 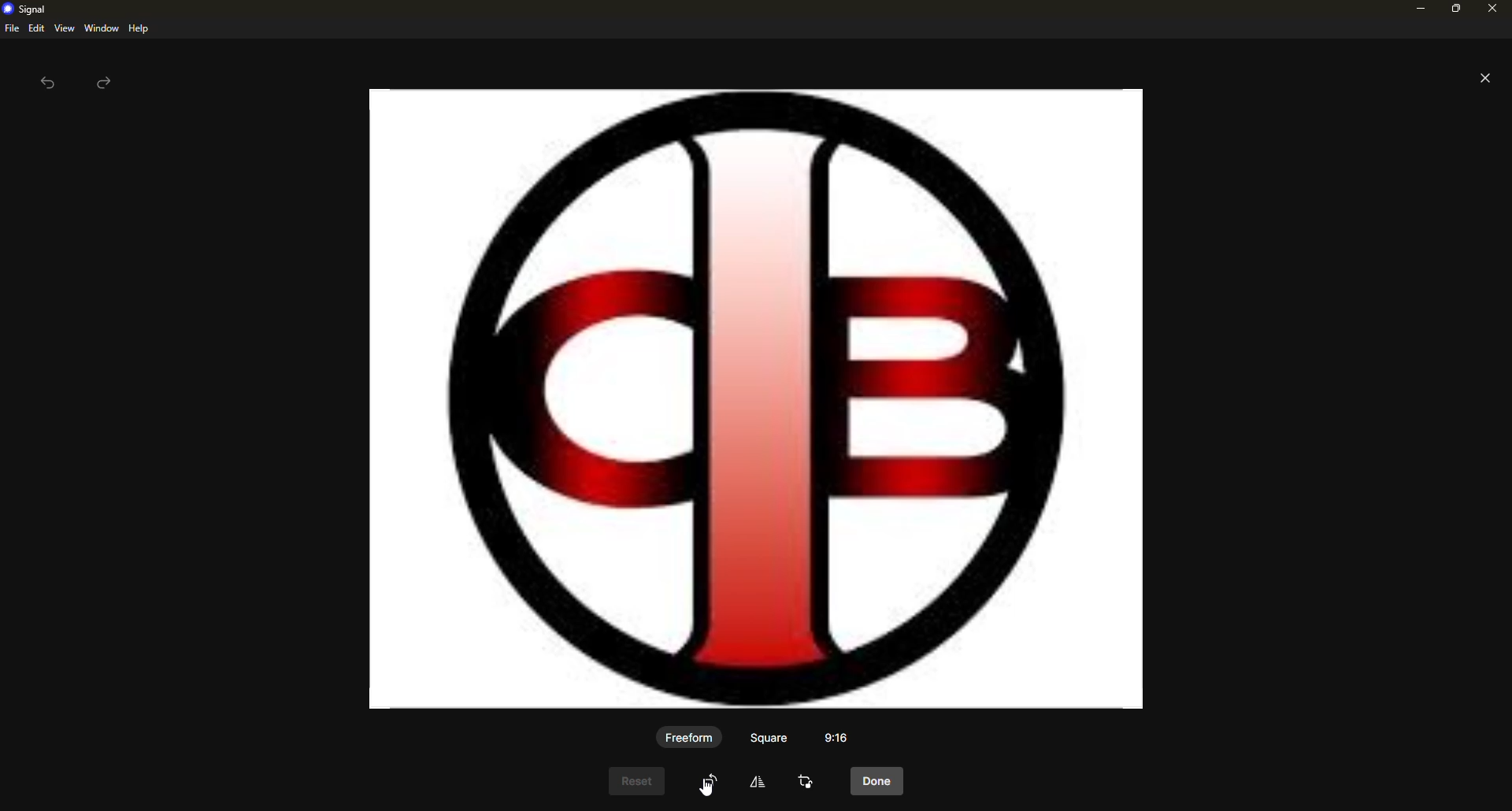 What do you see at coordinates (879, 783) in the screenshot?
I see `done` at bounding box center [879, 783].